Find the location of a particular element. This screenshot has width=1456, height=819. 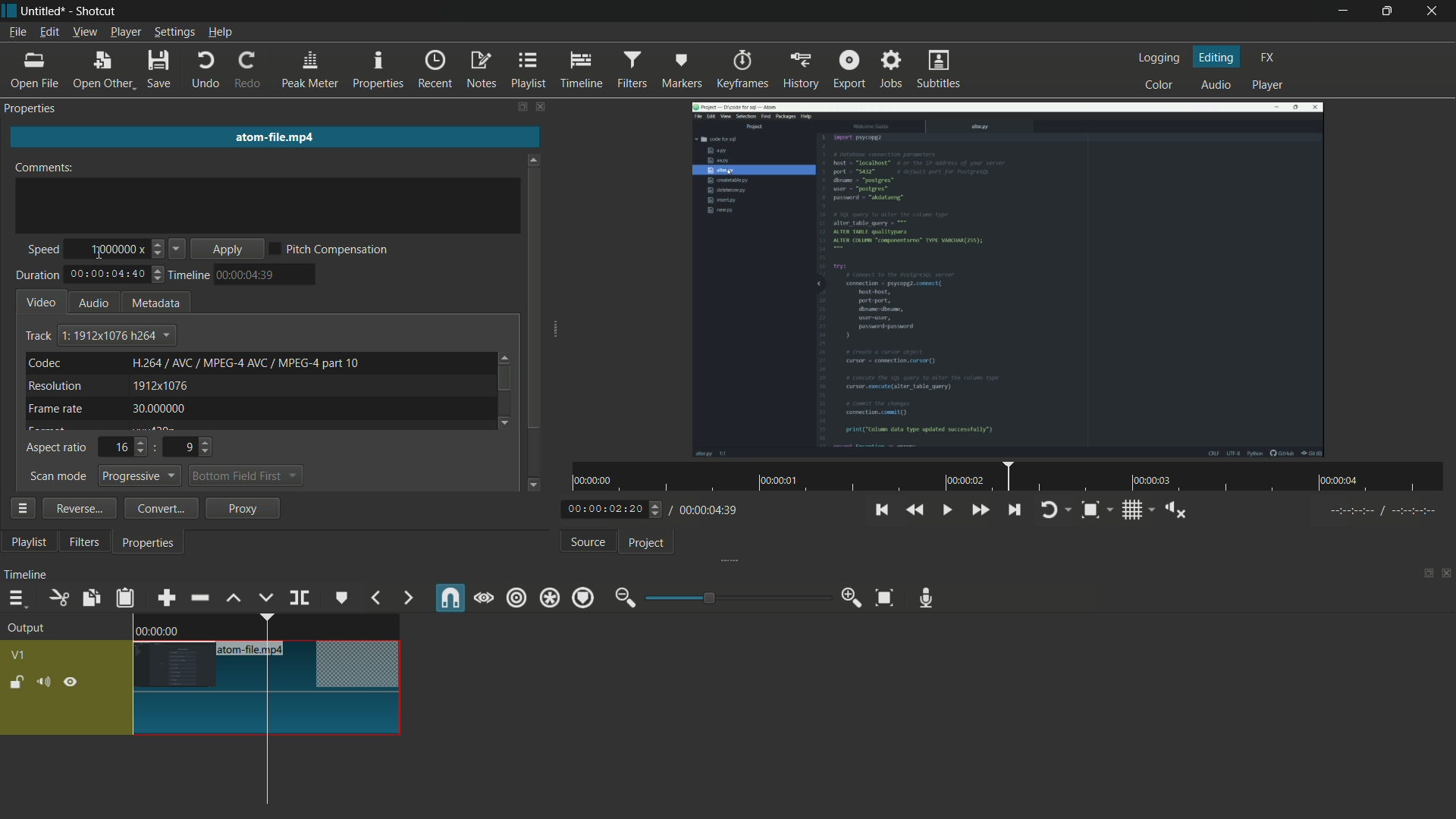

notes is located at coordinates (480, 71).